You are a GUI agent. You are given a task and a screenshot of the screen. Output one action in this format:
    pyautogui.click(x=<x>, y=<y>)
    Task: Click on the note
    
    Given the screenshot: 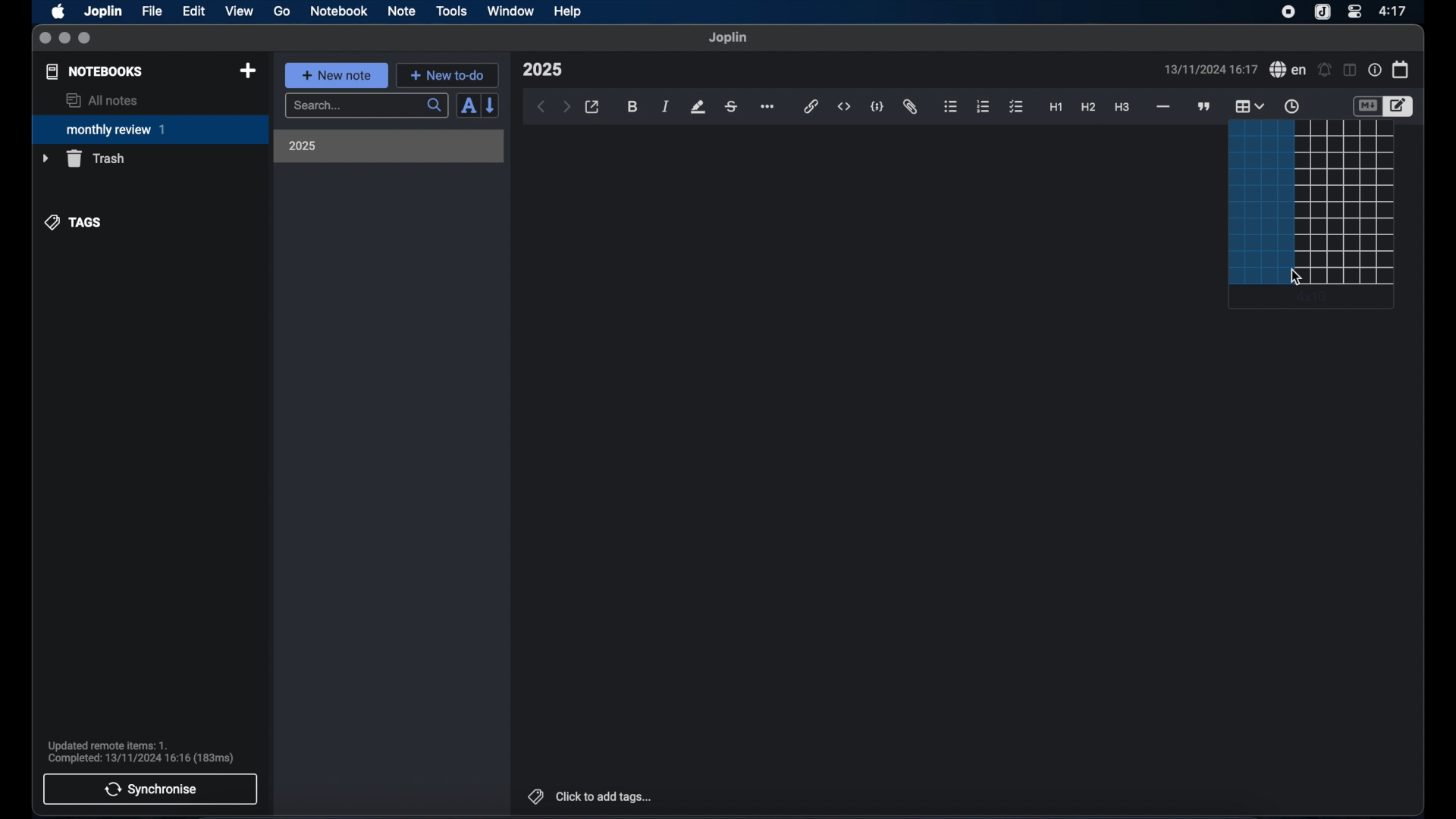 What is the action you would take?
    pyautogui.click(x=402, y=11)
    